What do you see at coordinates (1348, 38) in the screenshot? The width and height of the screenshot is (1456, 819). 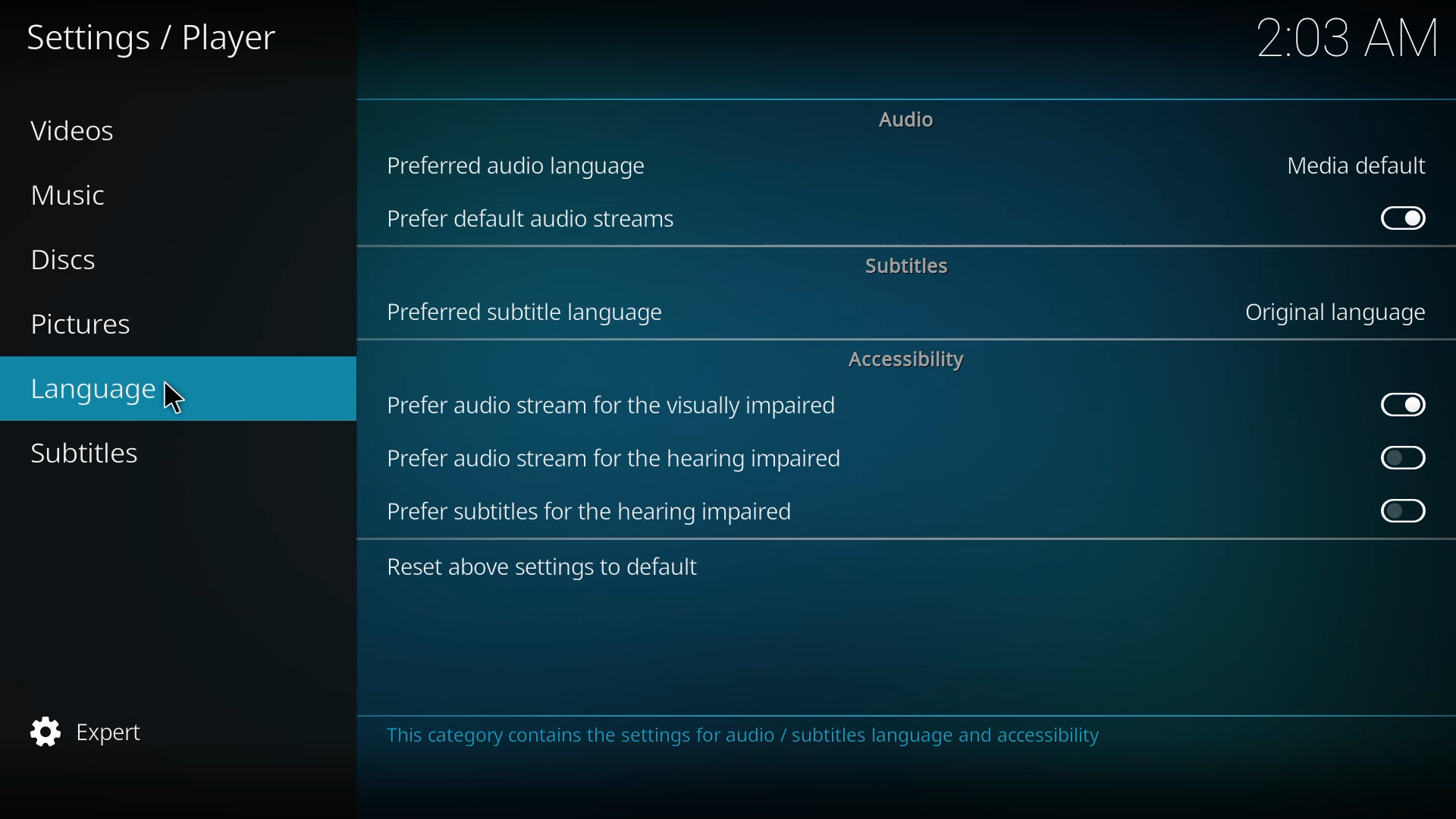 I see `time` at bounding box center [1348, 38].